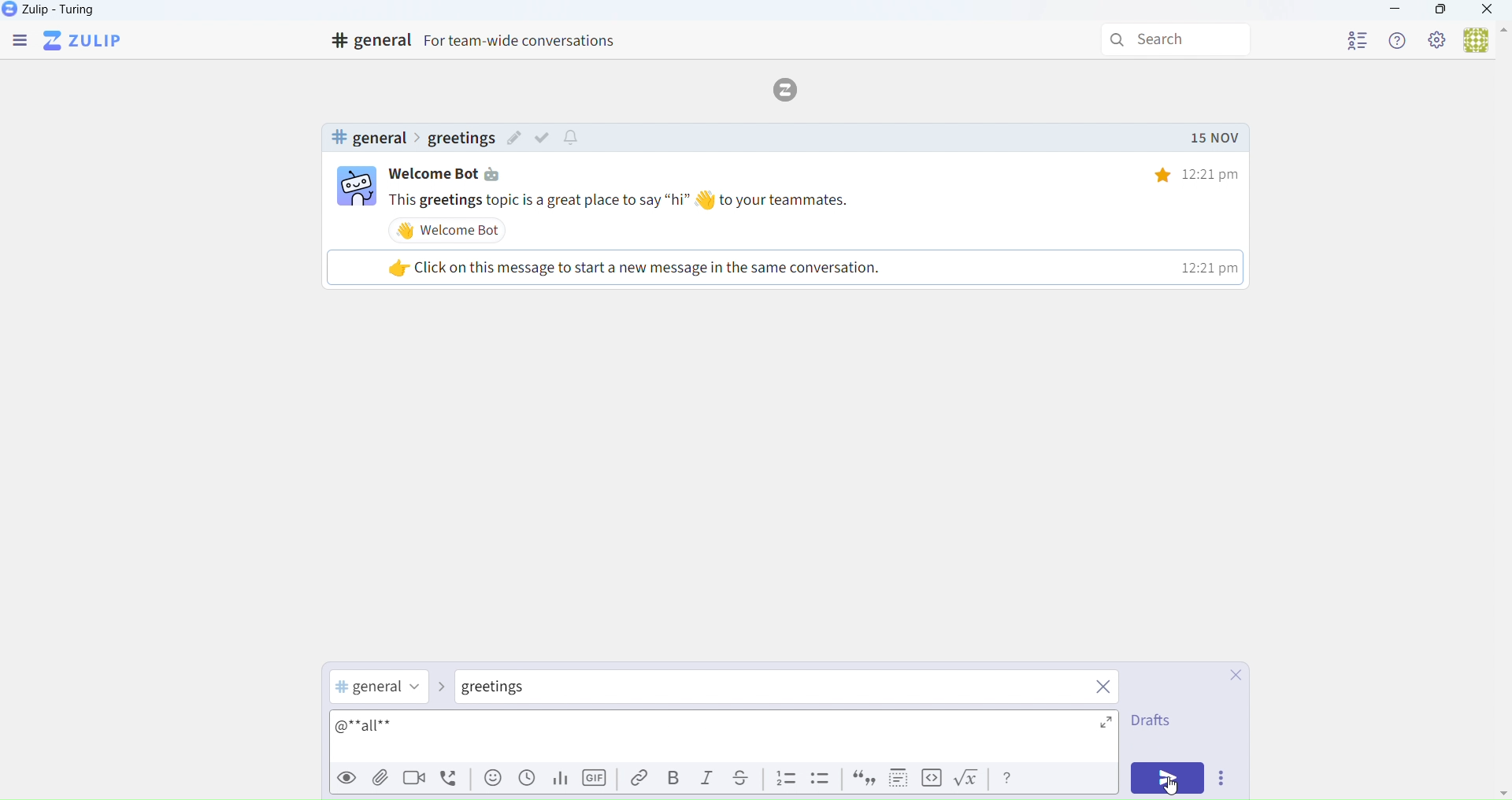  What do you see at coordinates (1009, 778) in the screenshot?
I see `Help` at bounding box center [1009, 778].